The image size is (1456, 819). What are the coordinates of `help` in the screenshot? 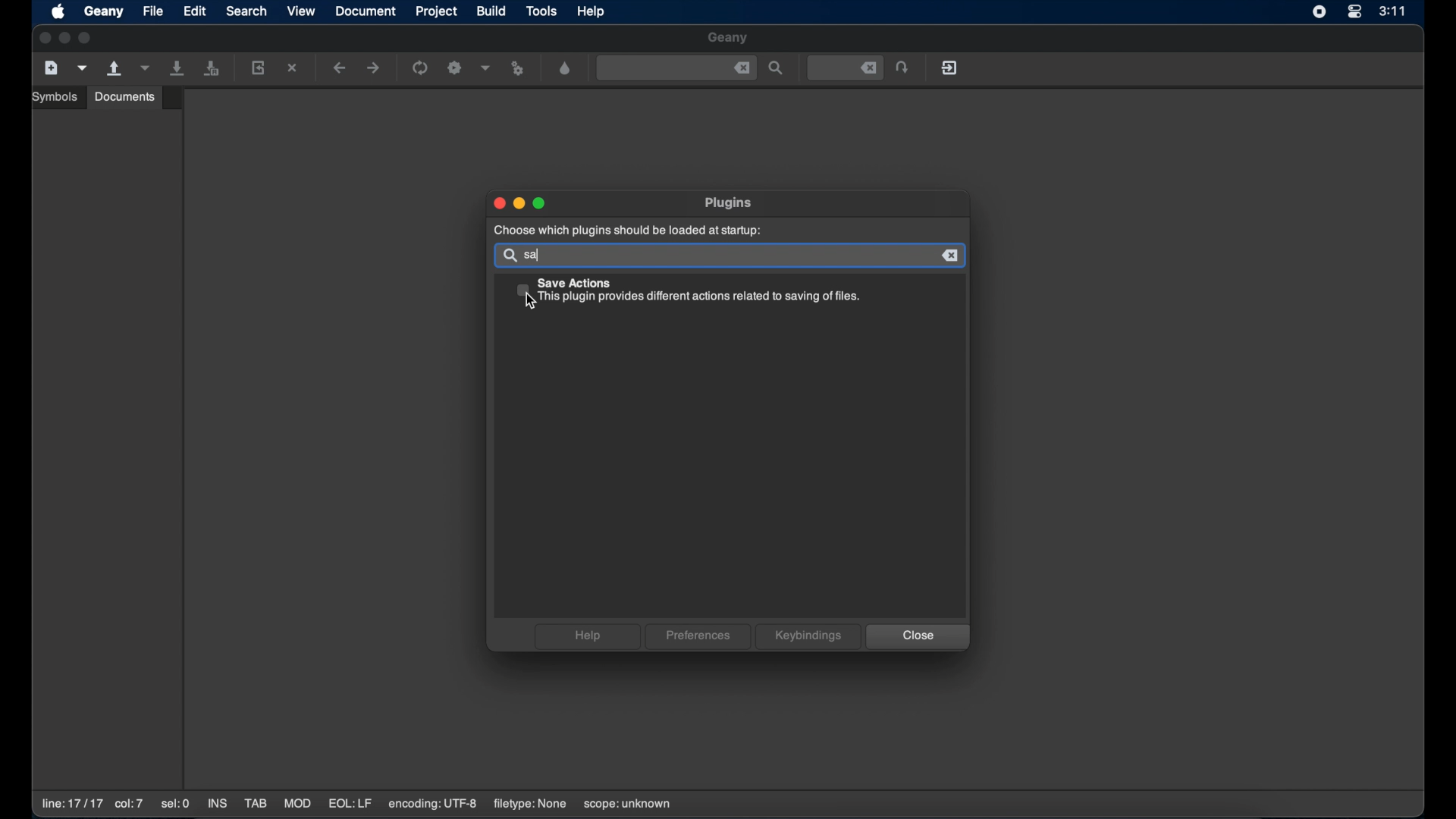 It's located at (586, 636).